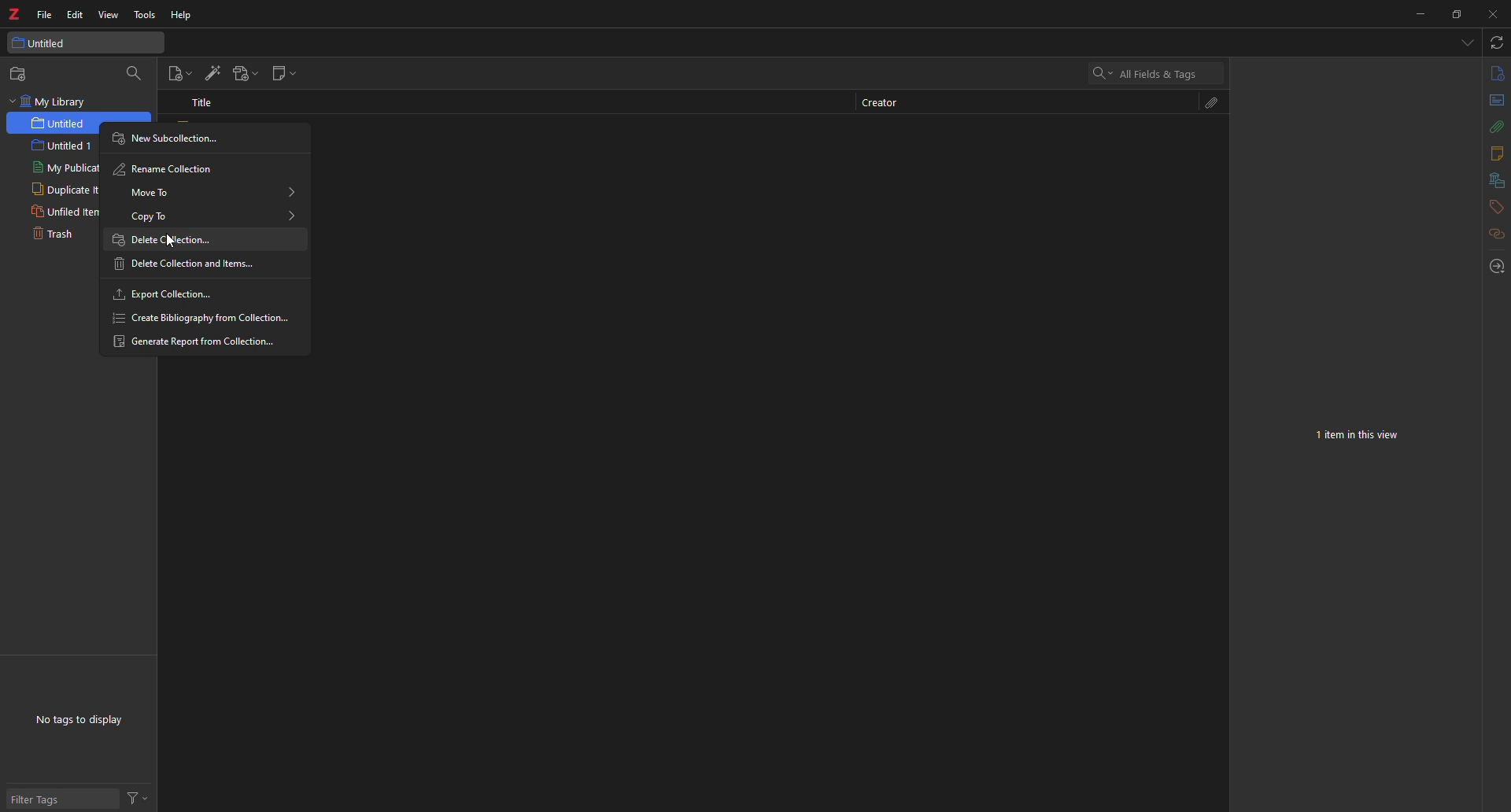 The width and height of the screenshot is (1511, 812). I want to click on tags, so click(1496, 207).